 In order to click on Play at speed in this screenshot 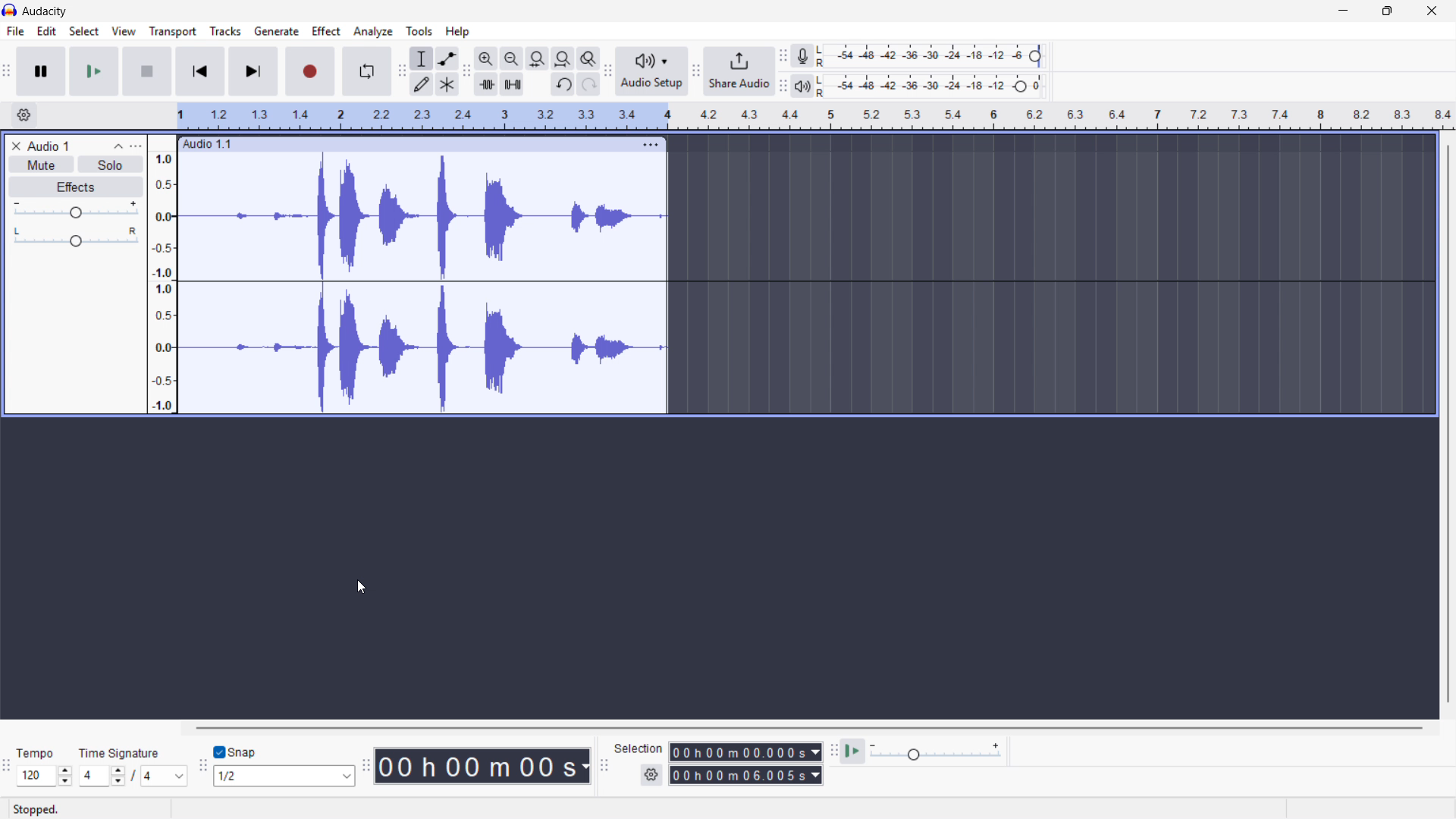, I will do `click(853, 752)`.